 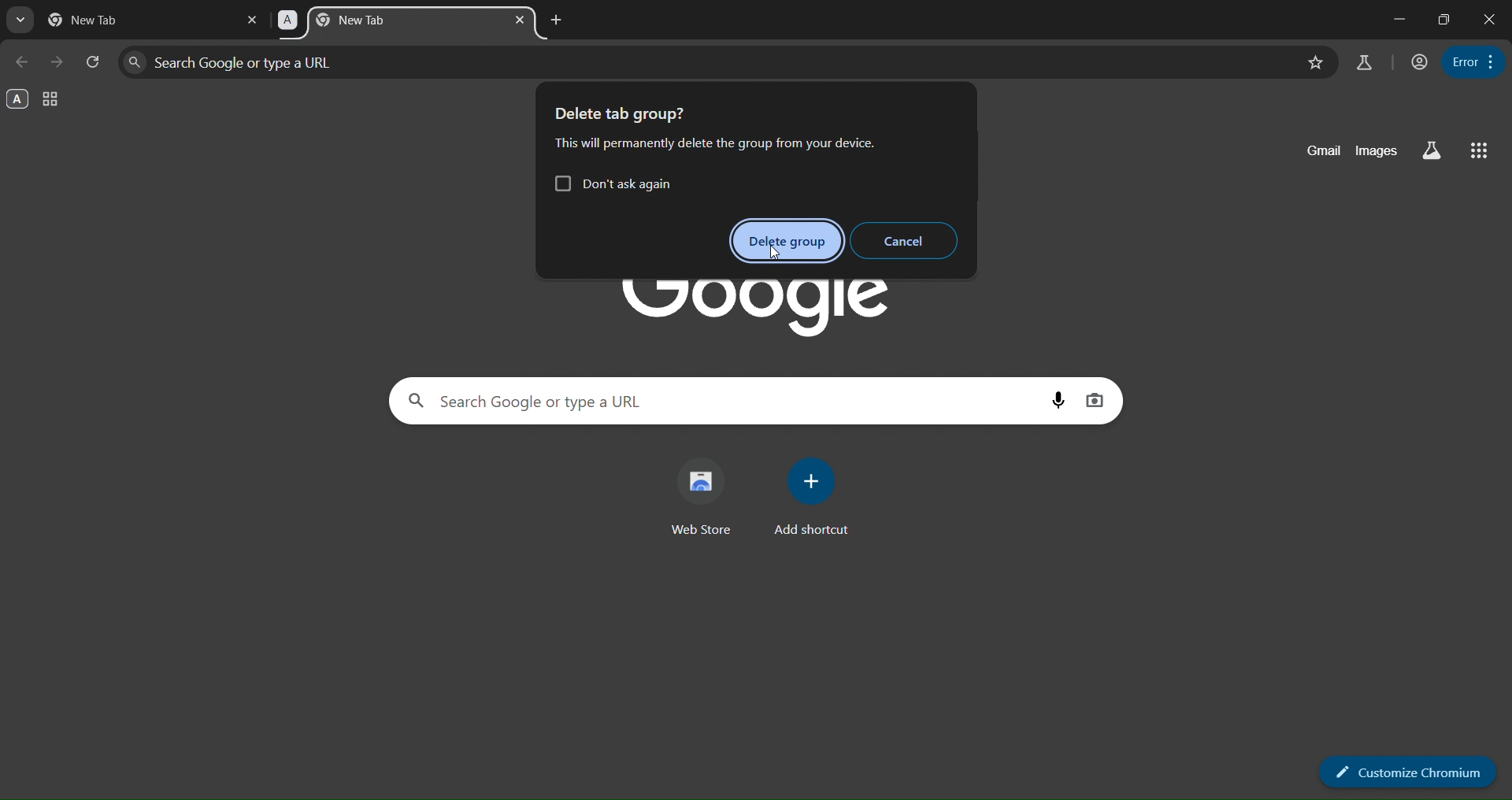 What do you see at coordinates (554, 19) in the screenshot?
I see `add new tab` at bounding box center [554, 19].